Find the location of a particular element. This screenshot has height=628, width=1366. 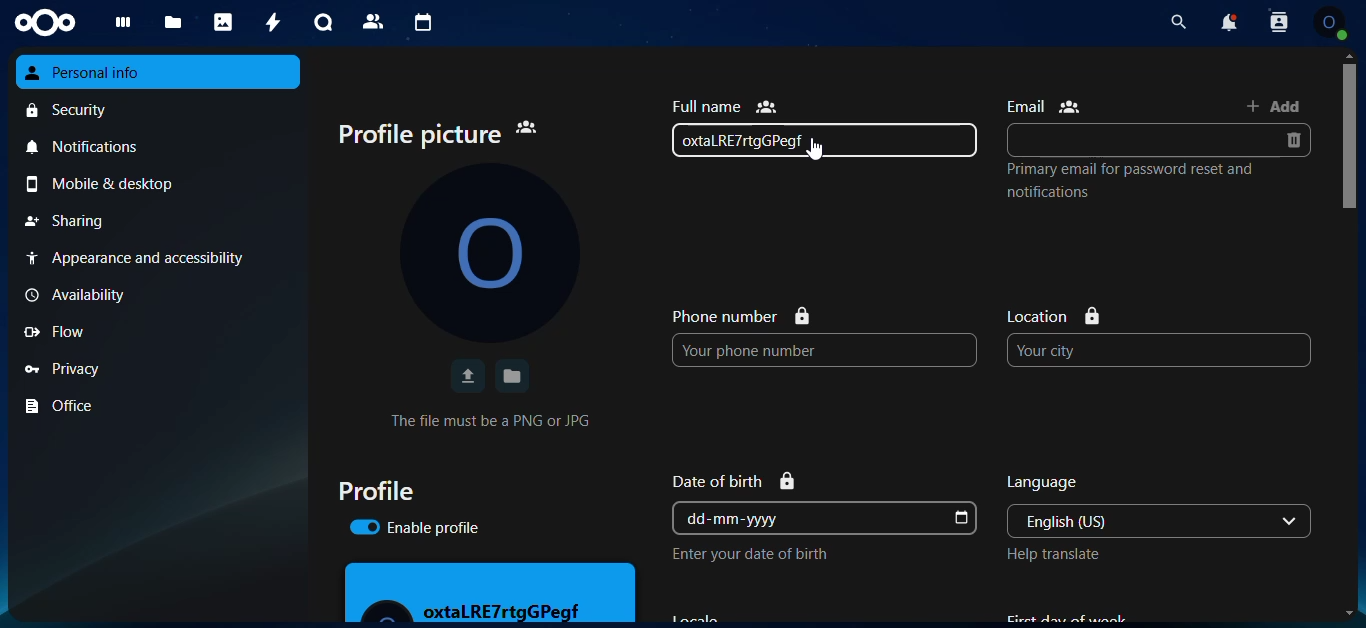

Your city is located at coordinates (1159, 350).